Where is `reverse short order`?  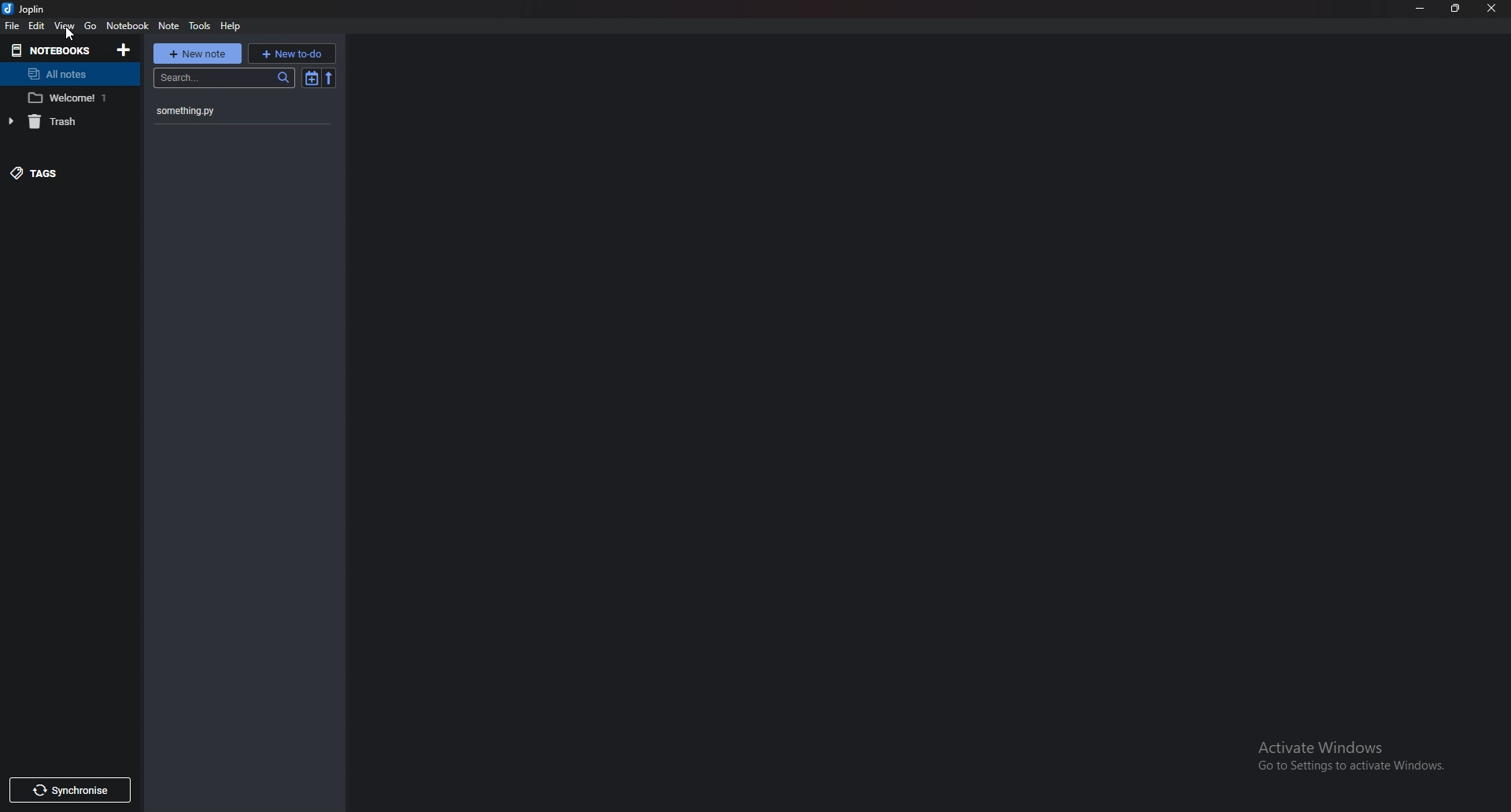 reverse short order is located at coordinates (330, 79).